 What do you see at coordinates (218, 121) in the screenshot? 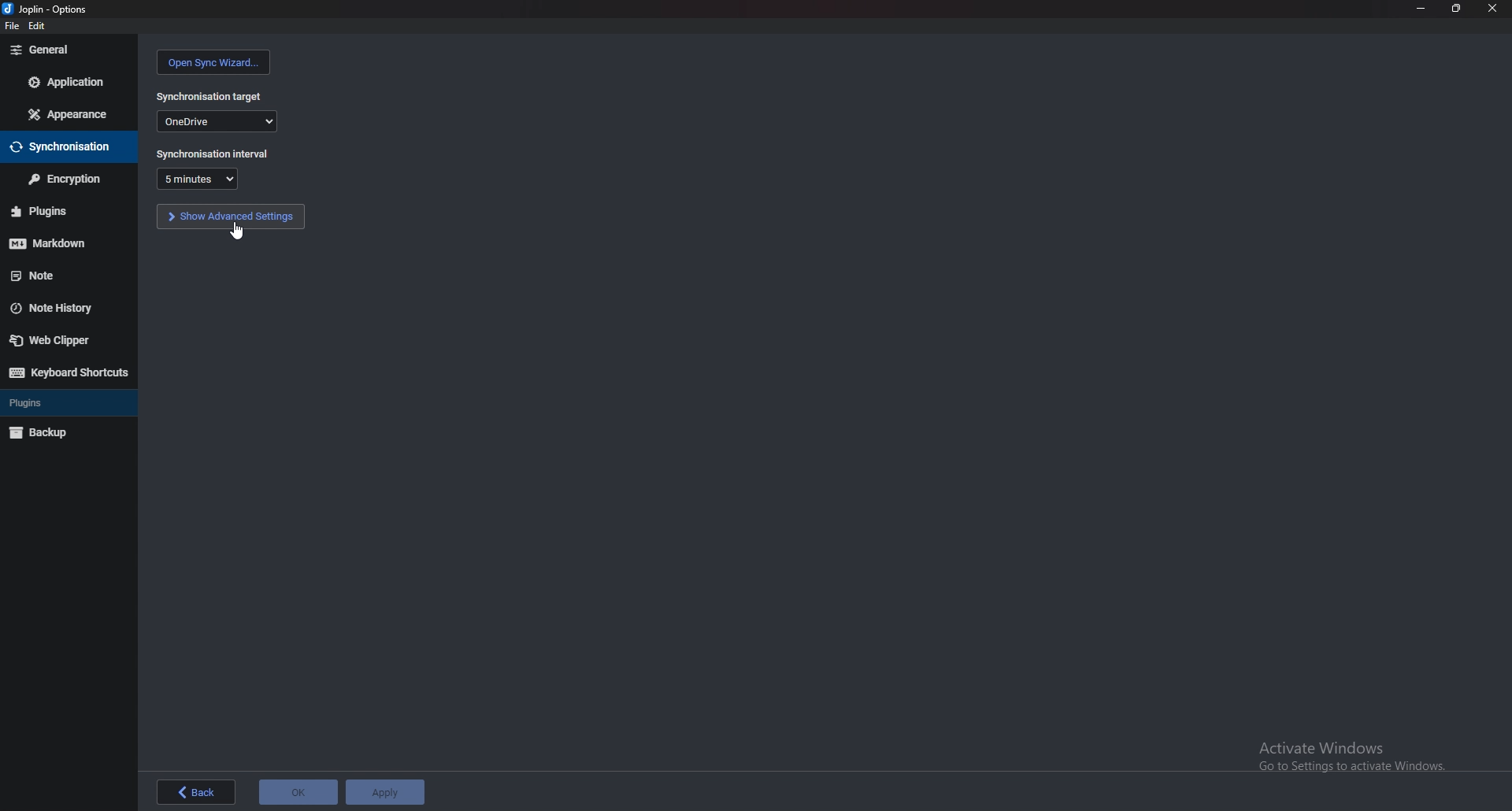
I see `one drive` at bounding box center [218, 121].